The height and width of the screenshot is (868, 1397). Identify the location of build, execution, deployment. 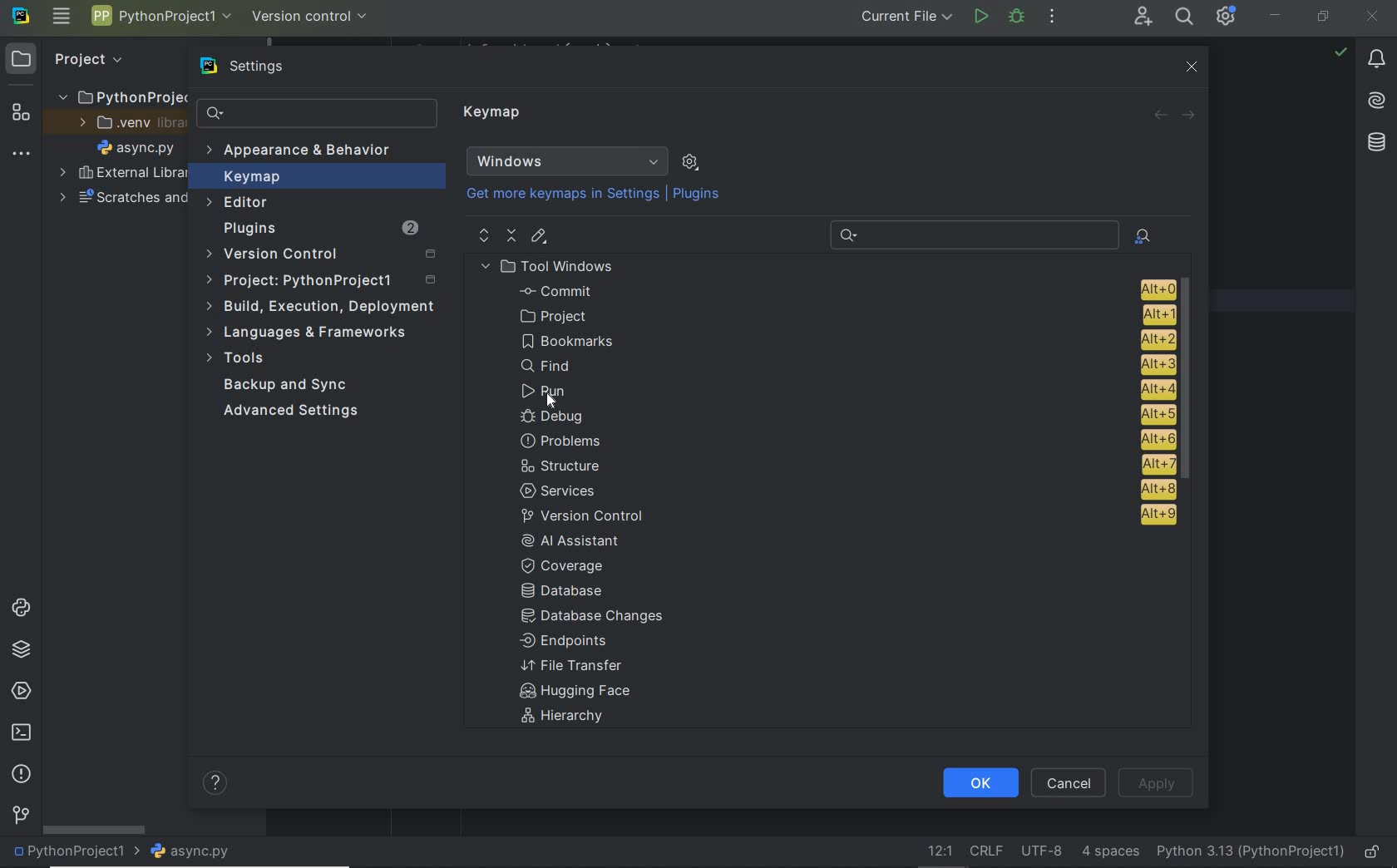
(319, 307).